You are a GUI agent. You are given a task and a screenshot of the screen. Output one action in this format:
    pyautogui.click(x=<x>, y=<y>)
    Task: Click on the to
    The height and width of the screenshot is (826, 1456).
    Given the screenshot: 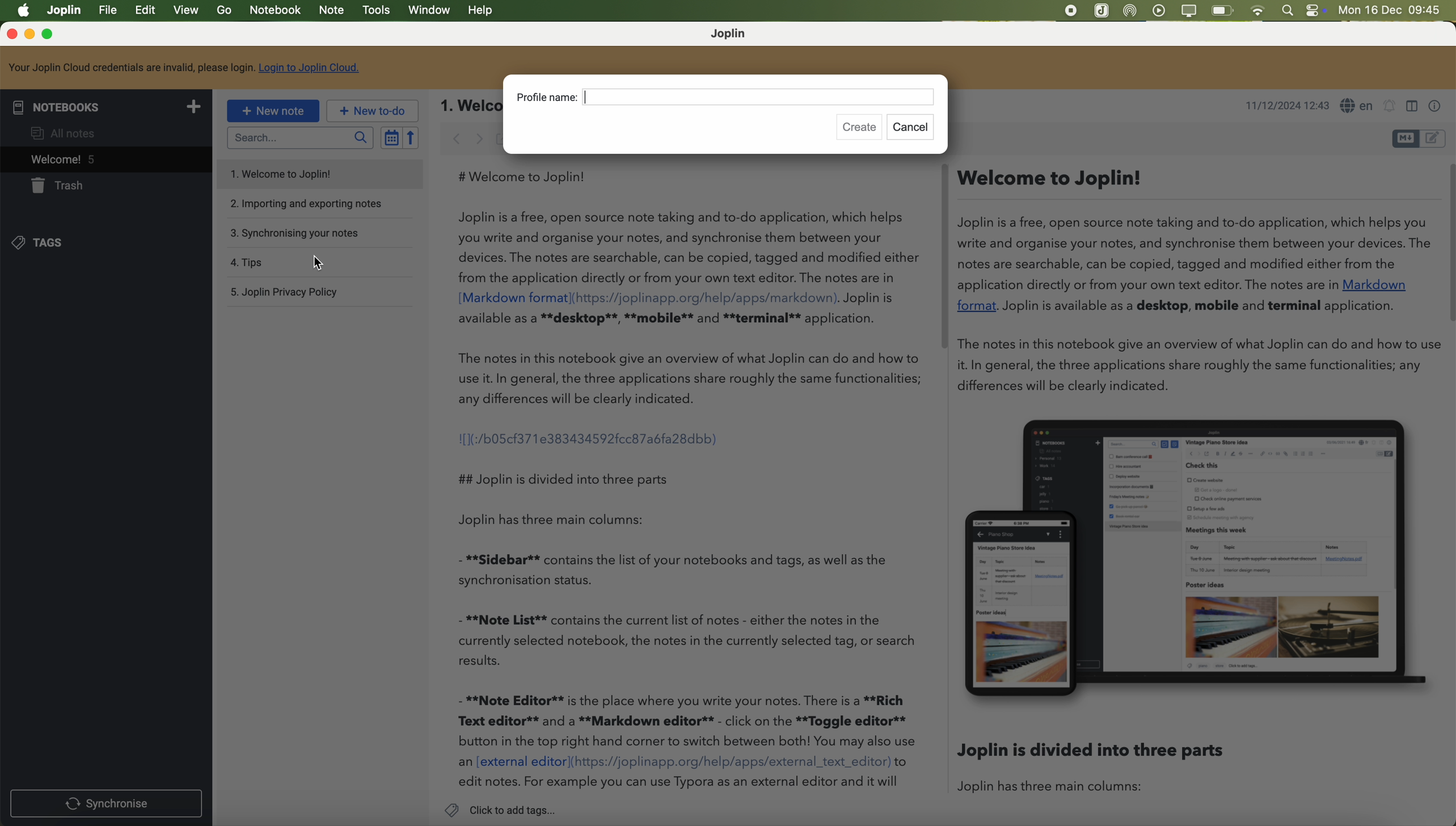 What is the action you would take?
    pyautogui.click(x=902, y=762)
    